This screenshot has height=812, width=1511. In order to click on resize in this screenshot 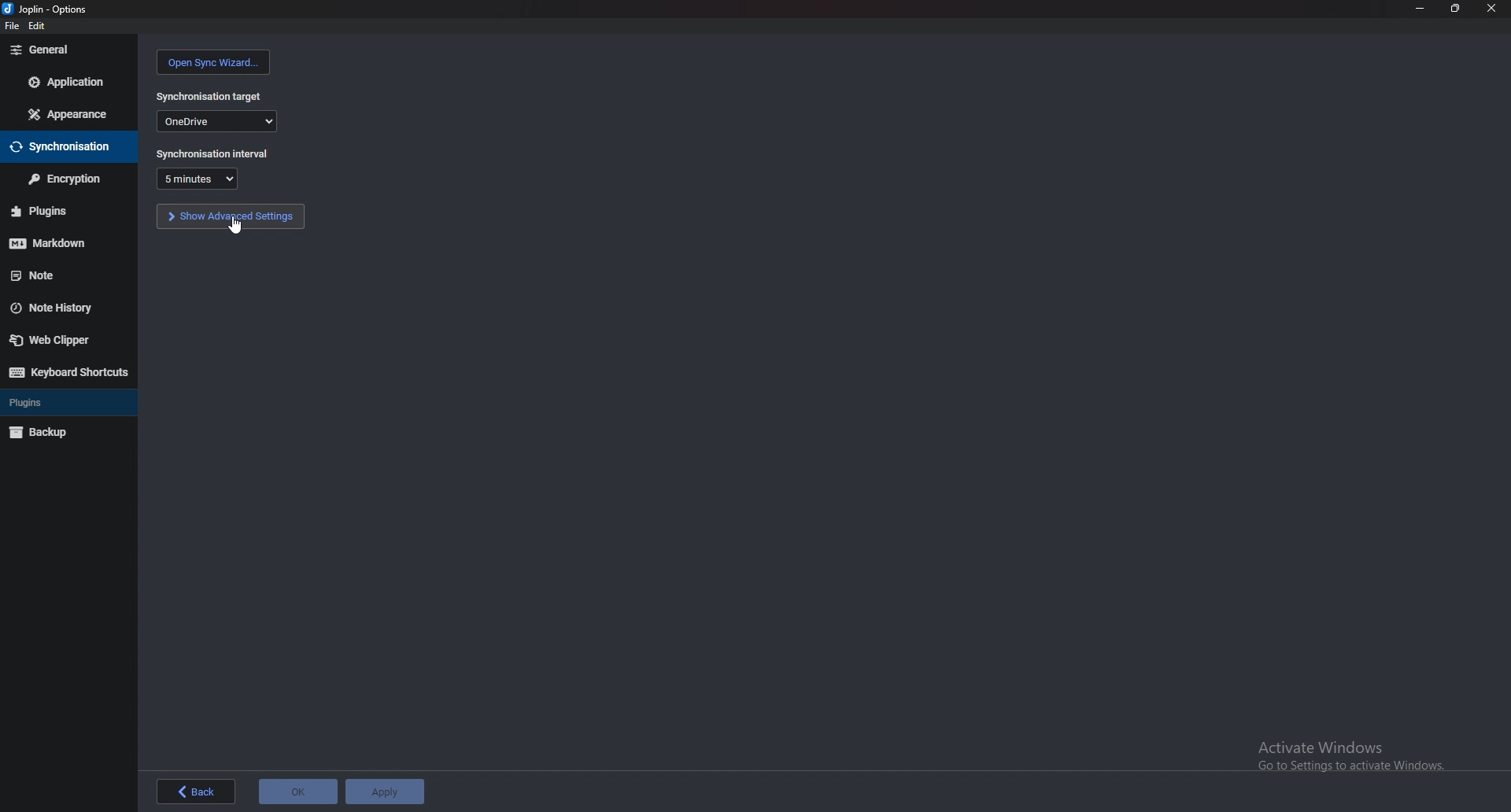, I will do `click(1452, 8)`.